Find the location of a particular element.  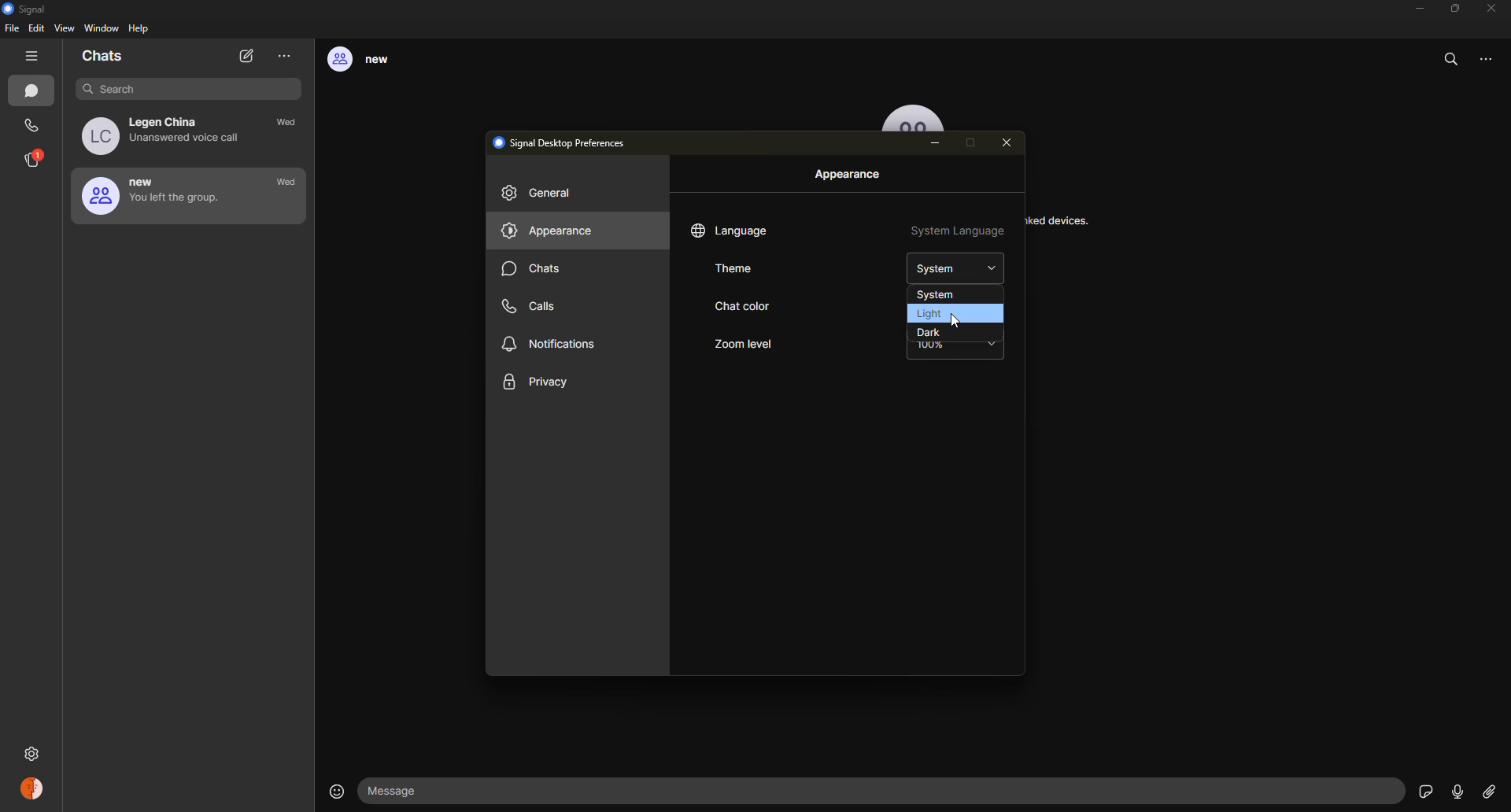

edit is located at coordinates (36, 29).